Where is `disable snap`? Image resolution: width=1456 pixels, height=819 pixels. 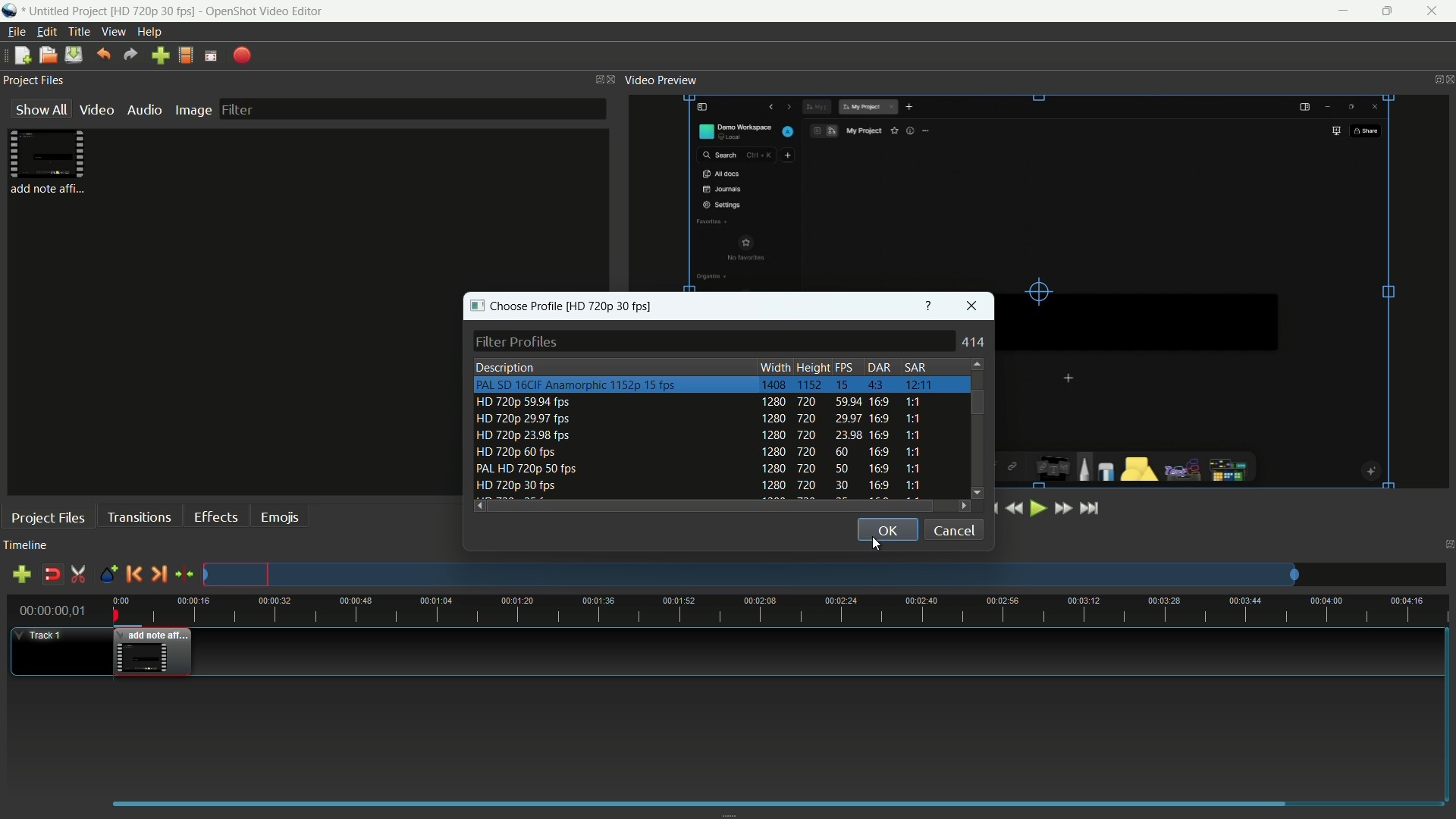 disable snap is located at coordinates (52, 574).